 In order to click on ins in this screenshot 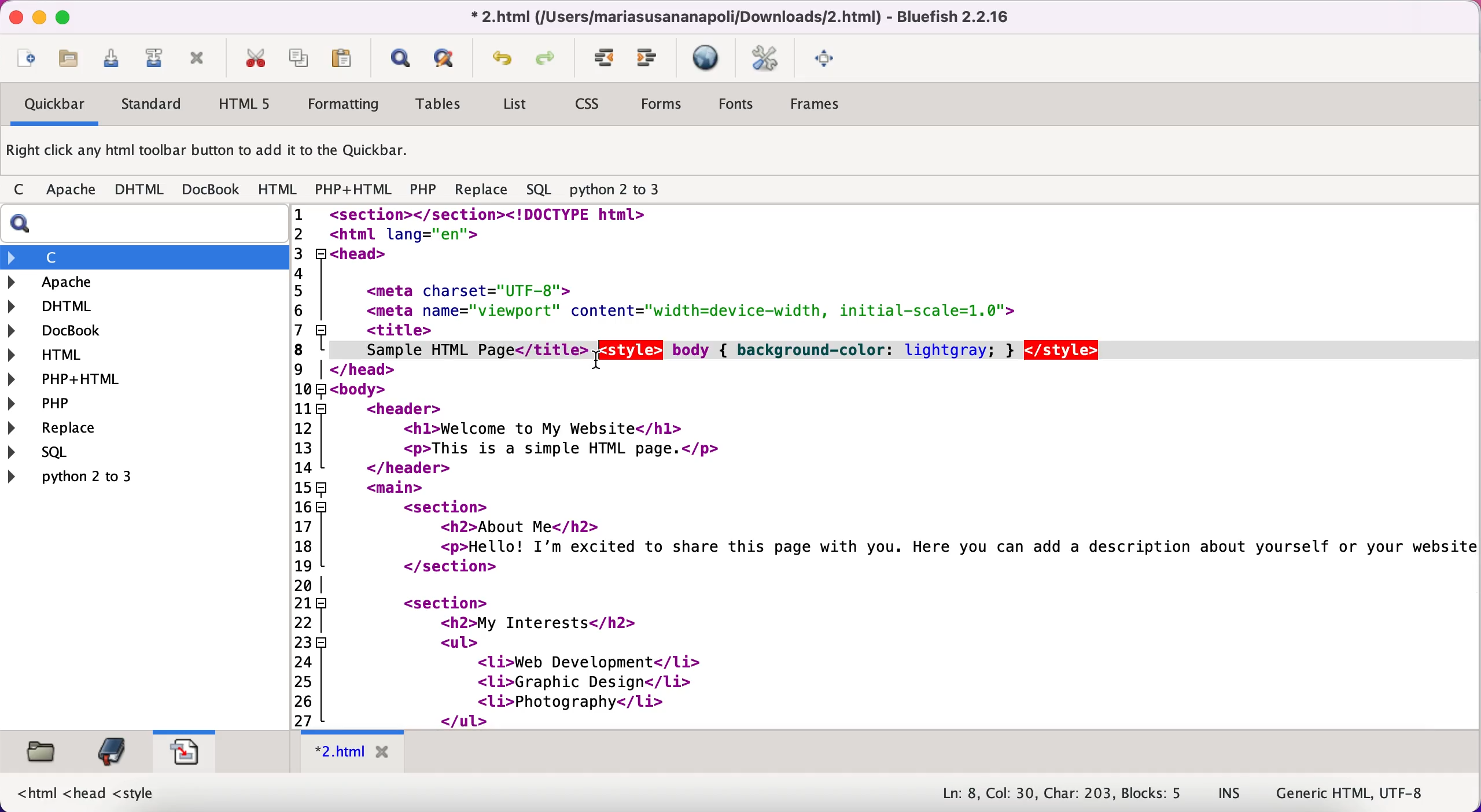, I will do `click(1230, 794)`.